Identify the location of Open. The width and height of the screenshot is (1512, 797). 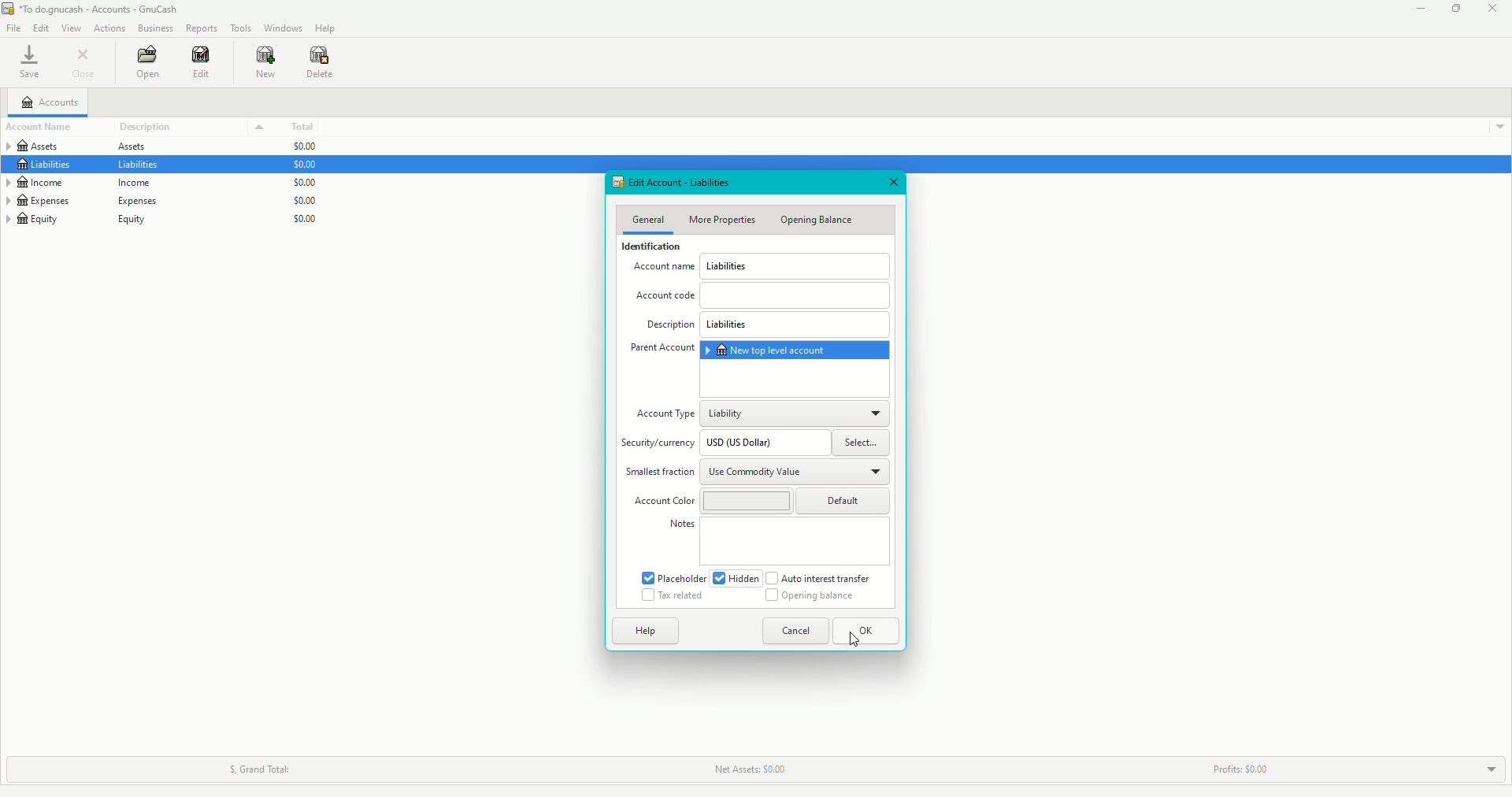
(146, 63).